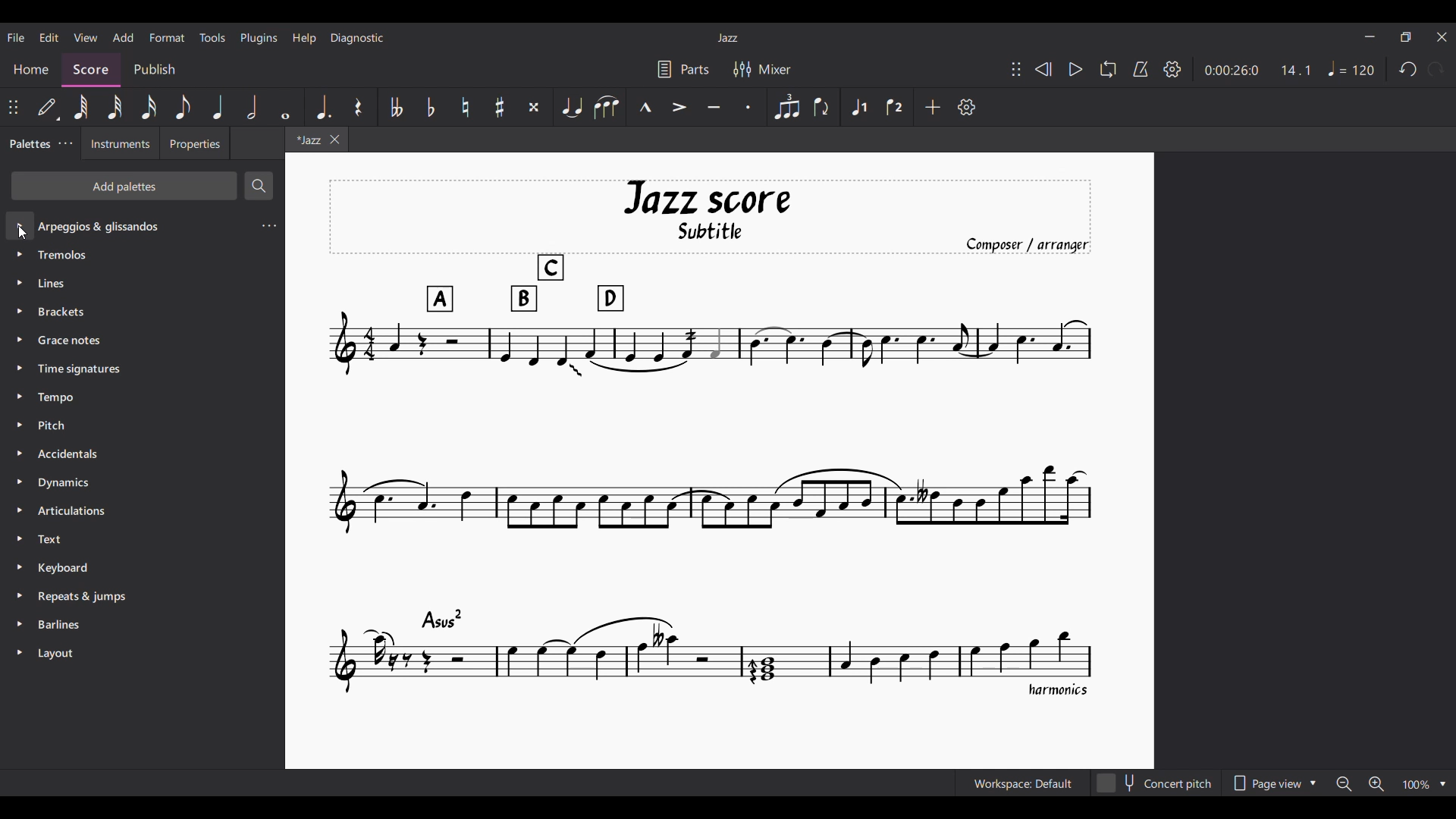 Image resolution: width=1456 pixels, height=819 pixels. Describe the element at coordinates (55, 653) in the screenshot. I see `Layout` at that location.